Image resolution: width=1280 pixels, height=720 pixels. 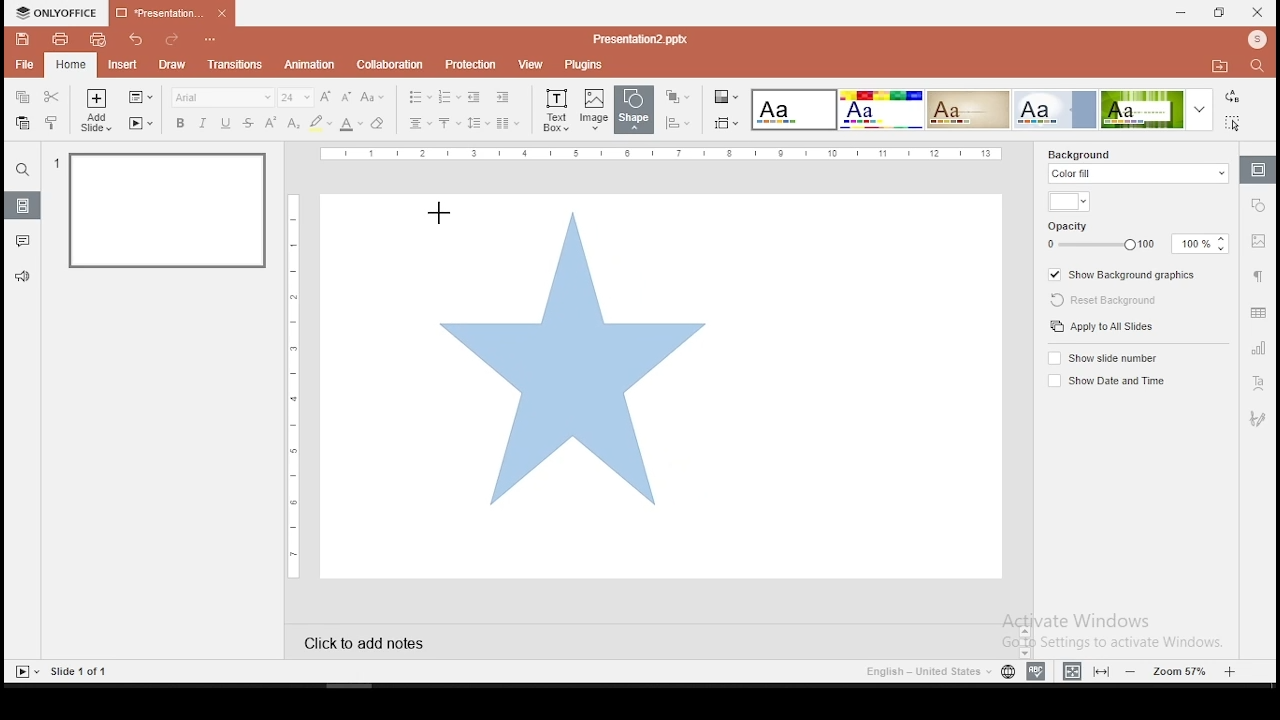 I want to click on bullets, so click(x=419, y=97).